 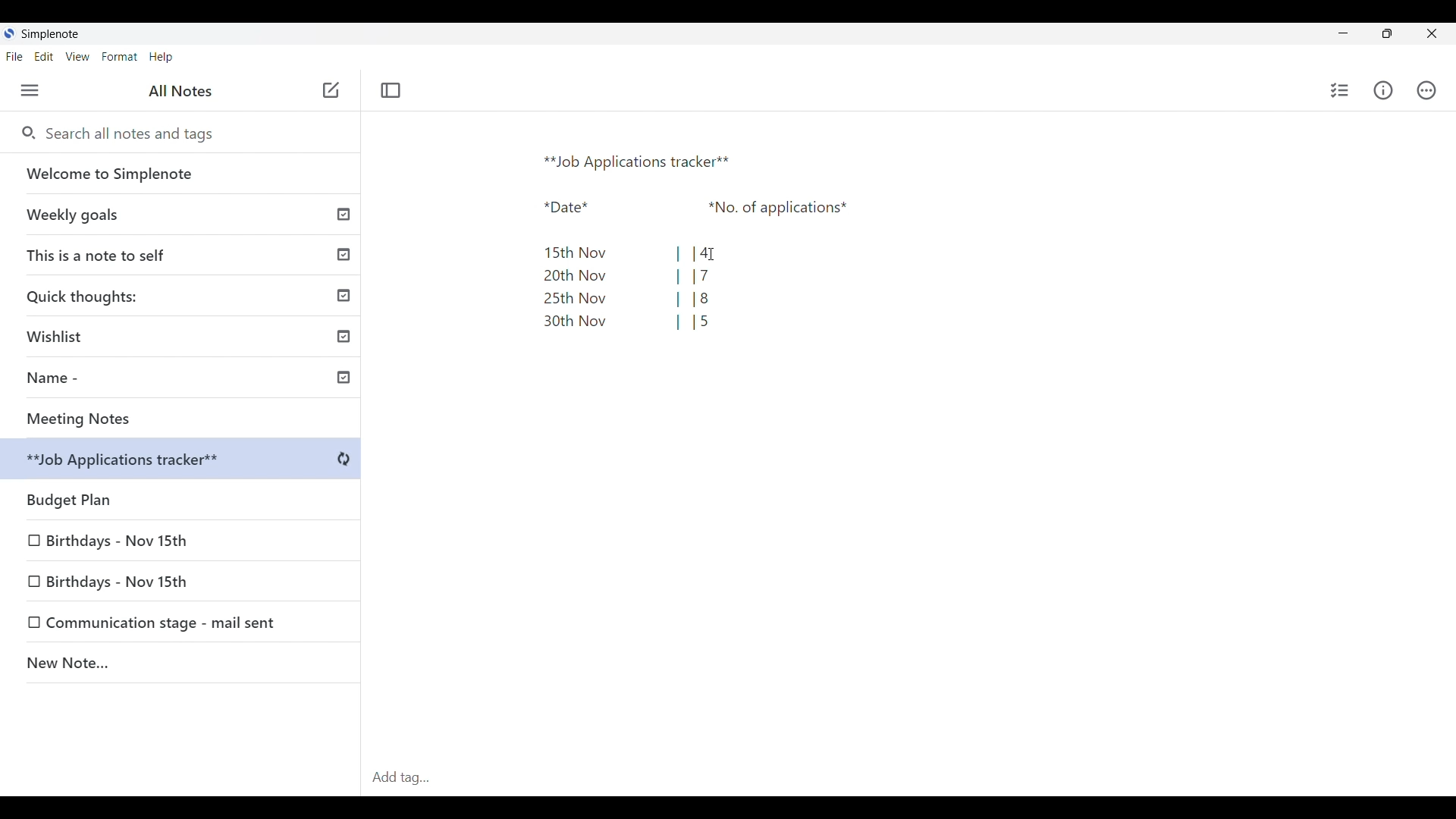 I want to click on Actions, so click(x=1426, y=90).